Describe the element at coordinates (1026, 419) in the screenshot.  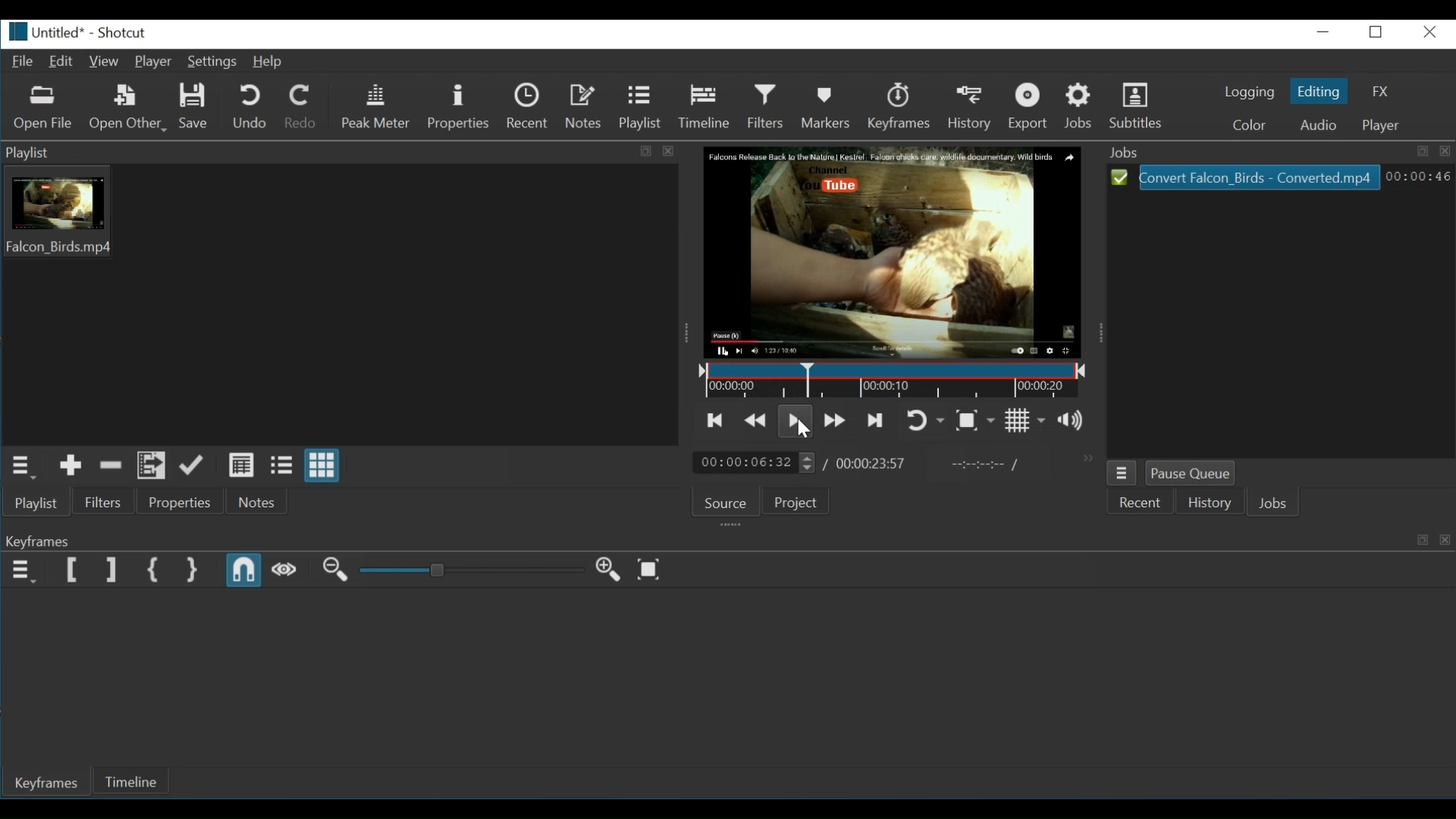
I see `Toggle grid display on the player` at that location.